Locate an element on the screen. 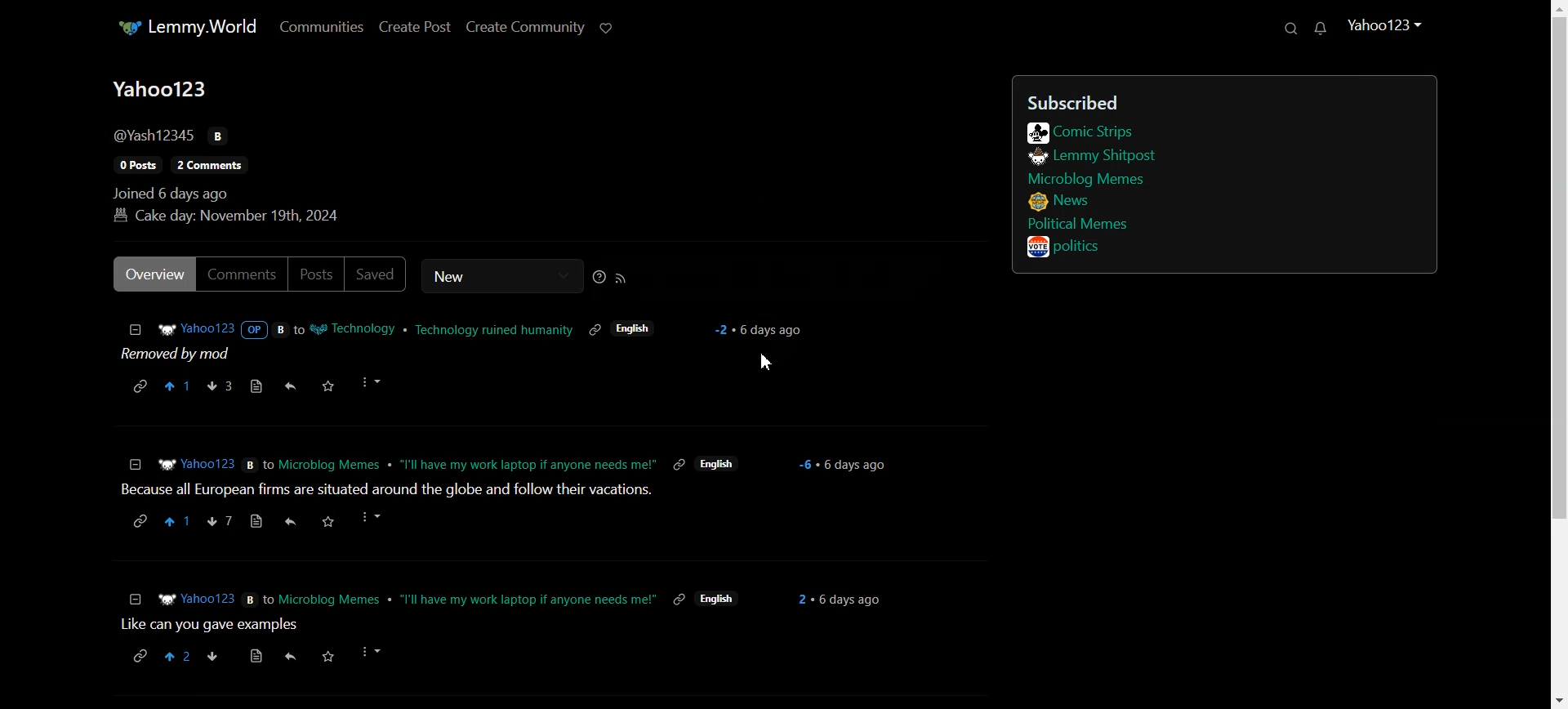 This screenshot has width=1568, height=709. Text is located at coordinates (176, 353).